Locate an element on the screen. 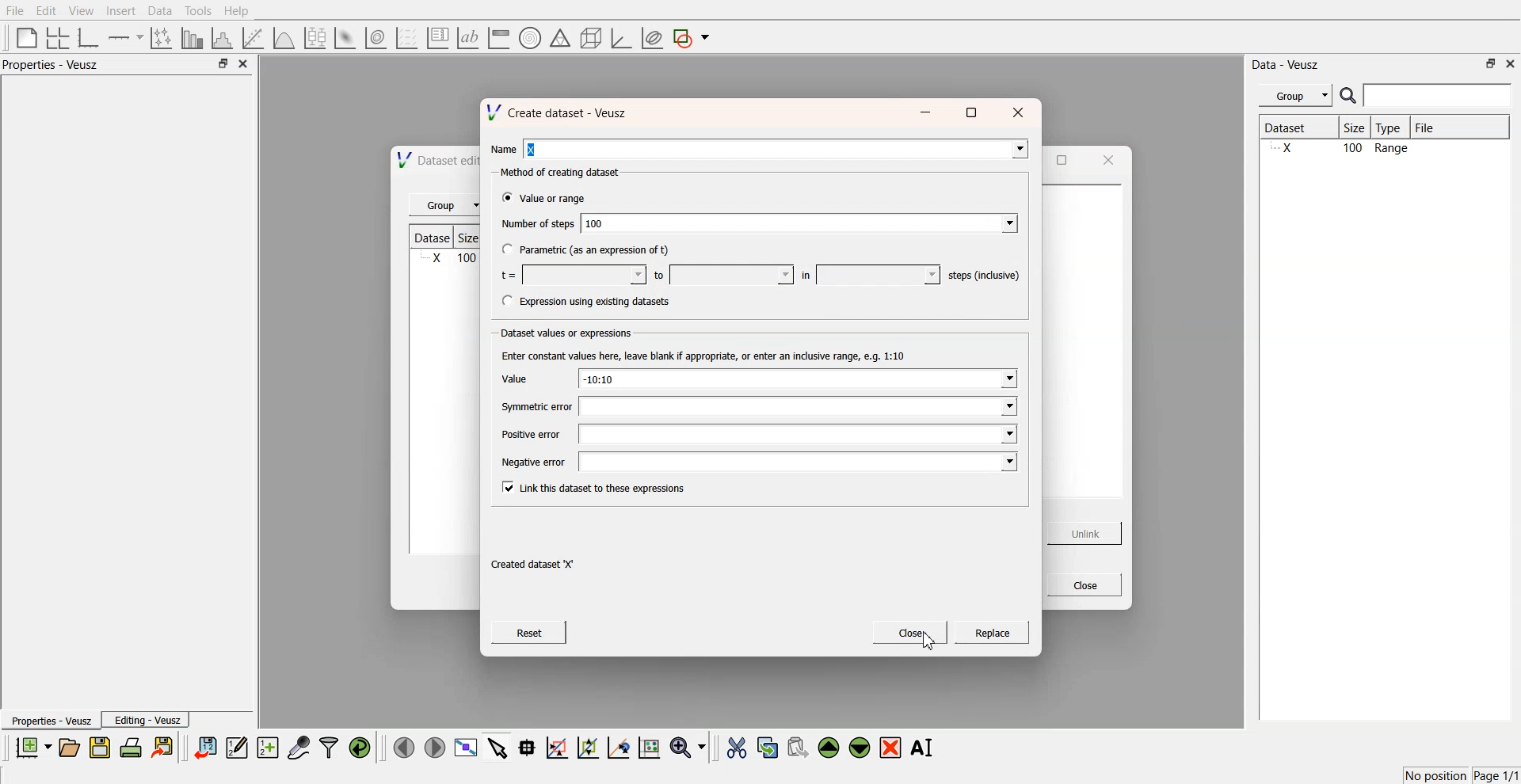 The height and width of the screenshot is (784, 1521).  is located at coordinates (1295, 96).